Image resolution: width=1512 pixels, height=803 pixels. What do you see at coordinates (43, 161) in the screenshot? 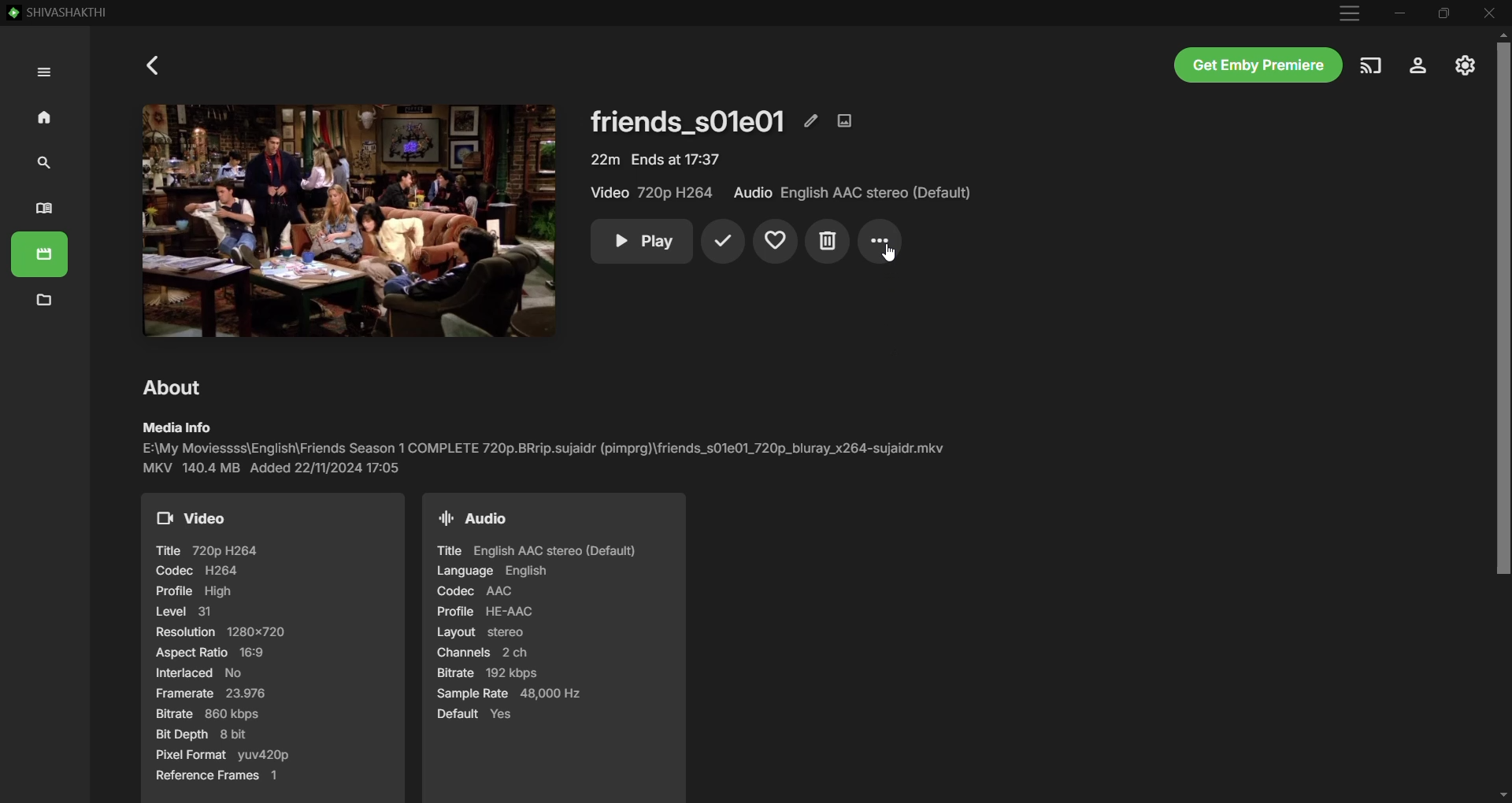
I see `` at bounding box center [43, 161].